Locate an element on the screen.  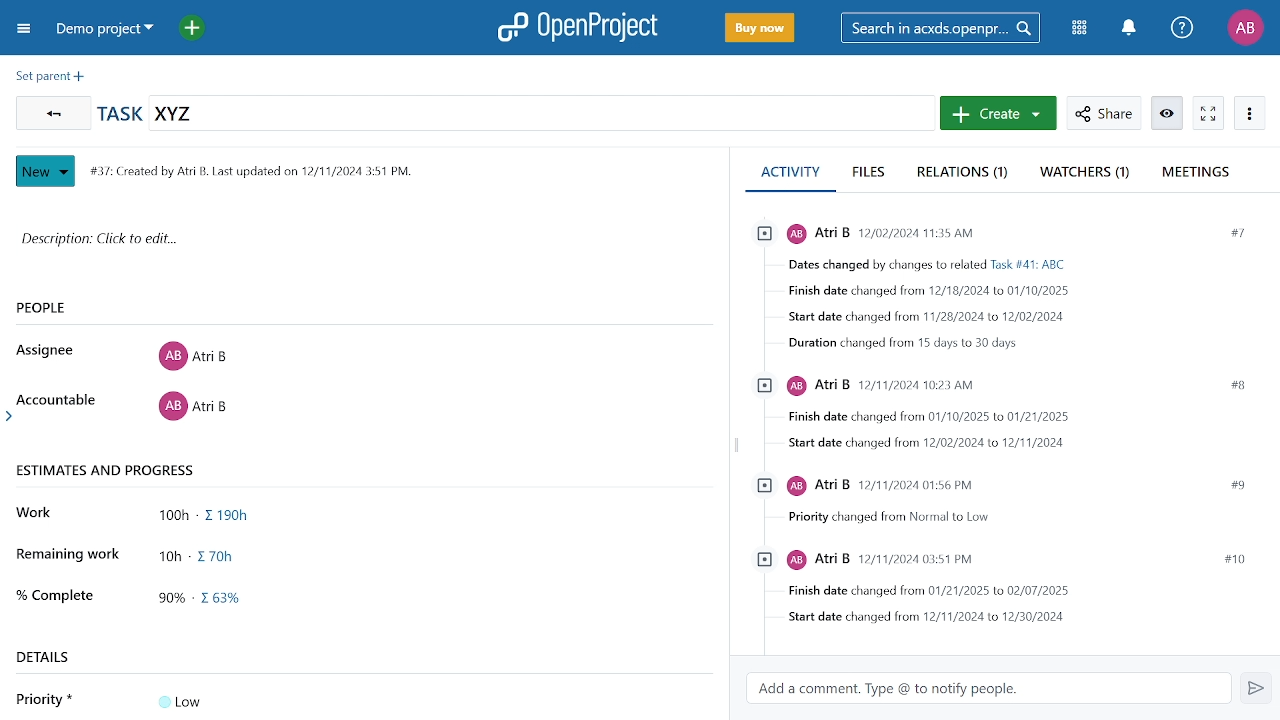
Watchers is located at coordinates (1083, 175).